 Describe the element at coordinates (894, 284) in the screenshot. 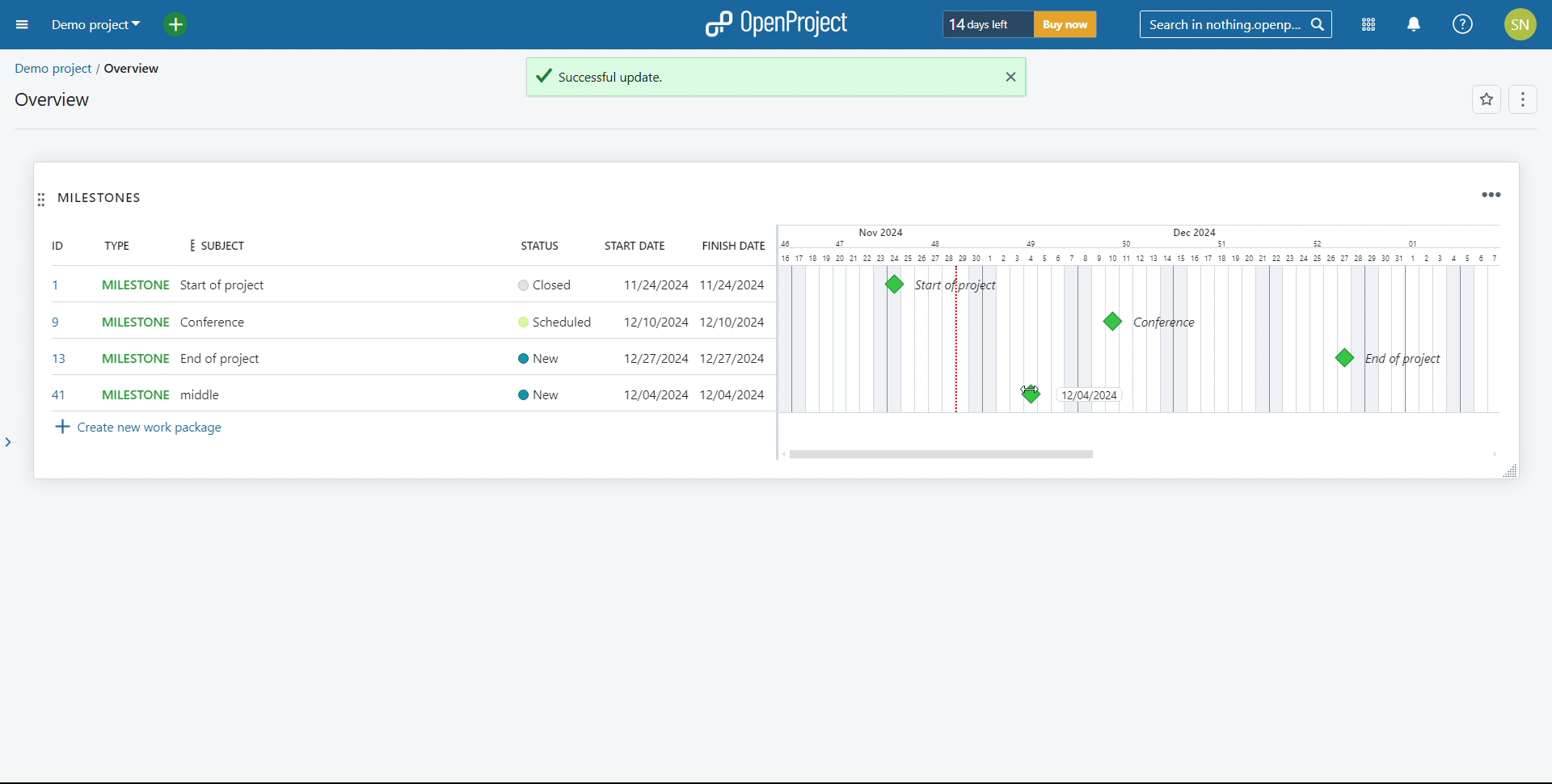

I see `milestone 1` at that location.